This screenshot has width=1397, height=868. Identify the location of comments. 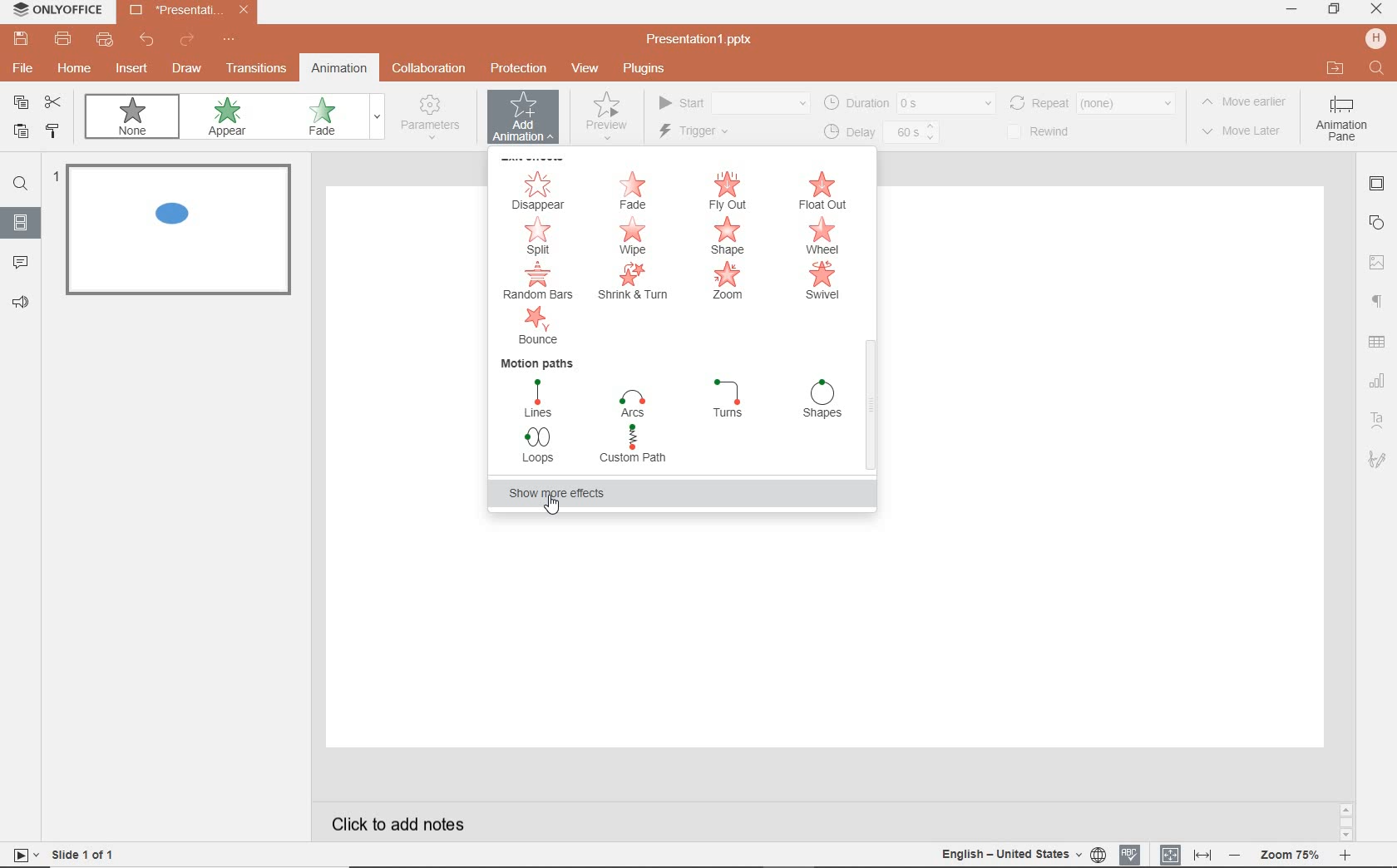
(22, 263).